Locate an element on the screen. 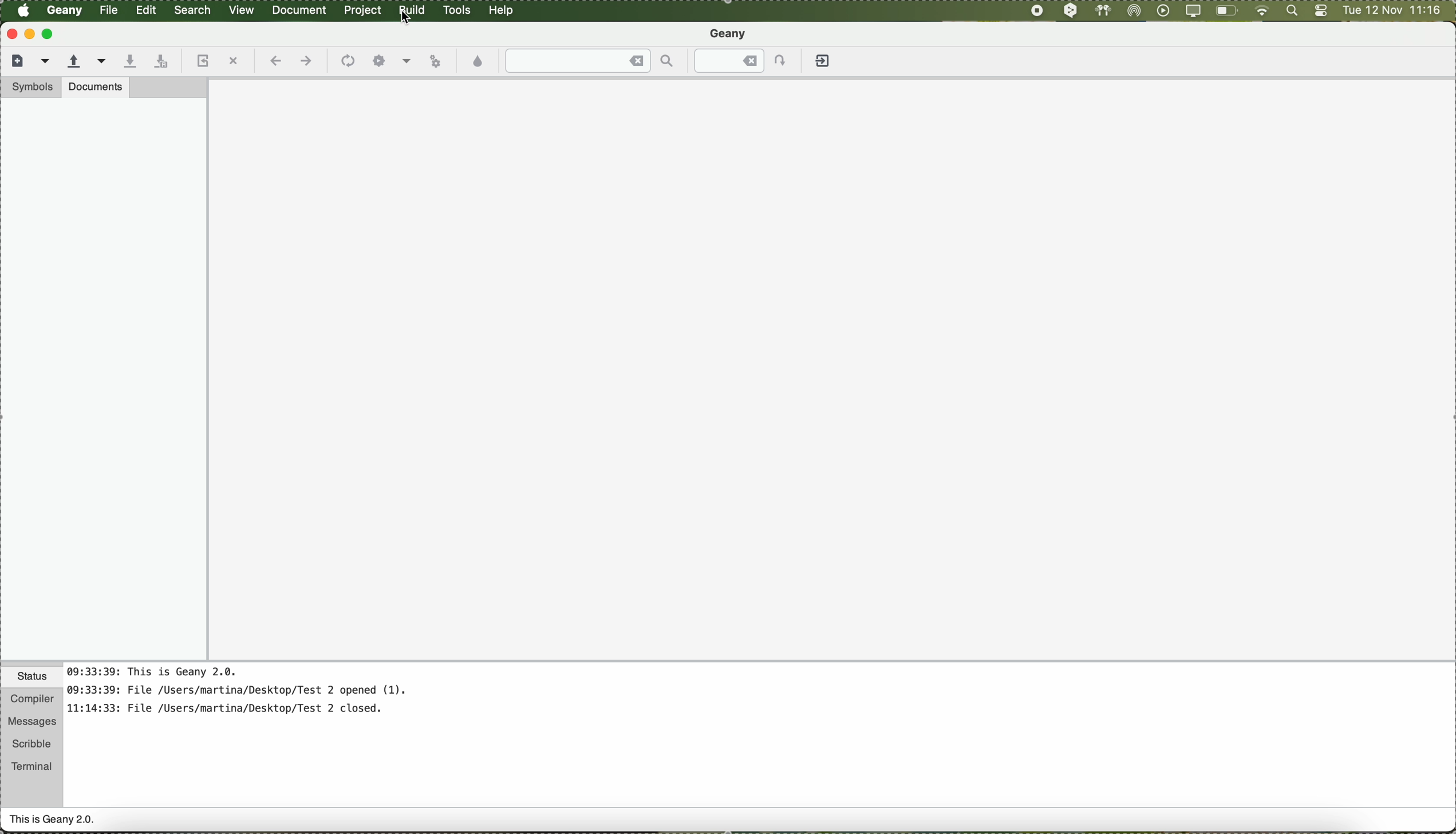 This screenshot has height=834, width=1456. minimize is located at coordinates (30, 34).